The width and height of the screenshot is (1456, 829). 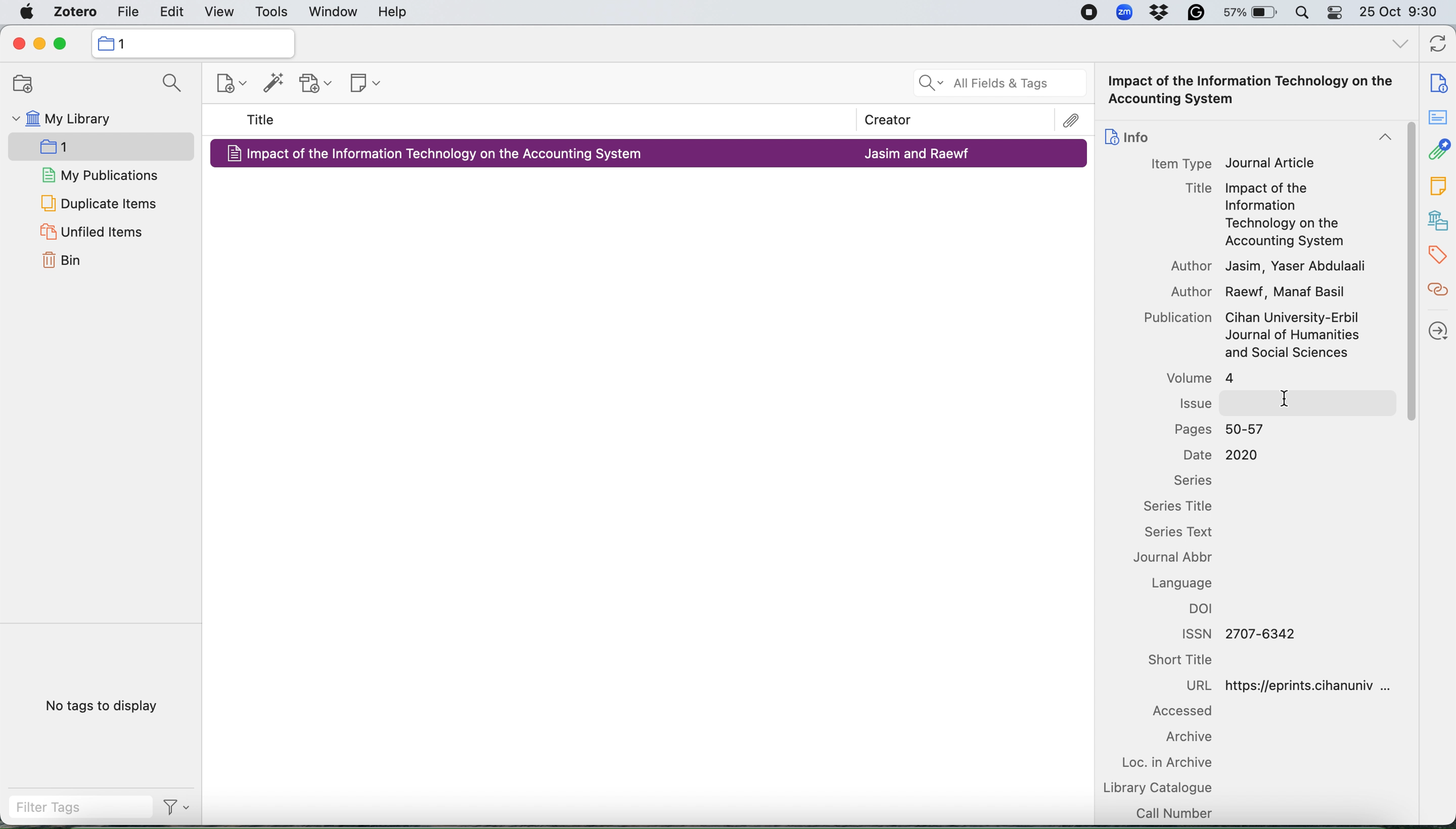 What do you see at coordinates (72, 809) in the screenshot?
I see `filter tags` at bounding box center [72, 809].